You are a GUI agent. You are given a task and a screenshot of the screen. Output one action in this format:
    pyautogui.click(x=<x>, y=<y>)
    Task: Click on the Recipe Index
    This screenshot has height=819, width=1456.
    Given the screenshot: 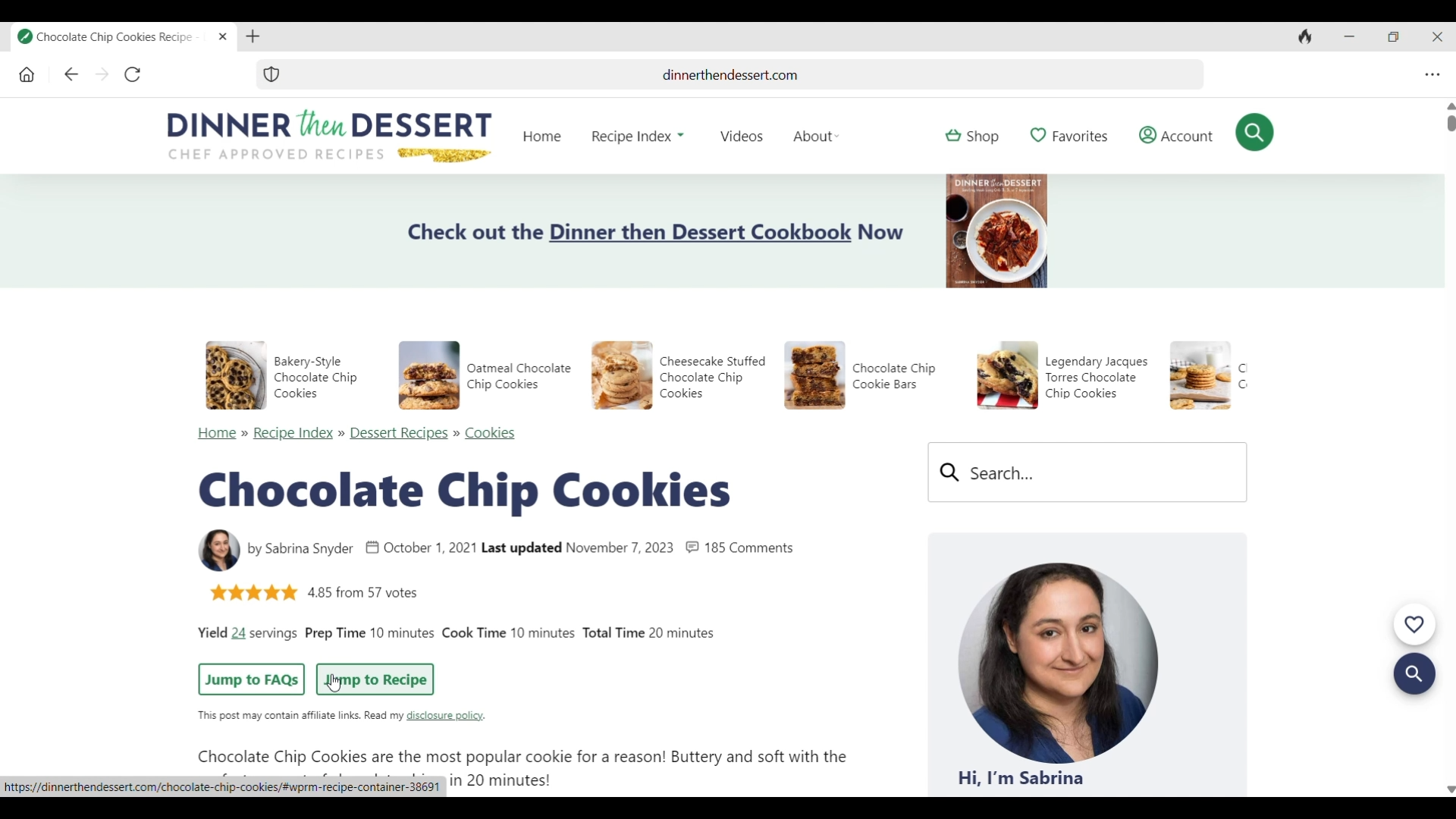 What is the action you would take?
    pyautogui.click(x=293, y=434)
    